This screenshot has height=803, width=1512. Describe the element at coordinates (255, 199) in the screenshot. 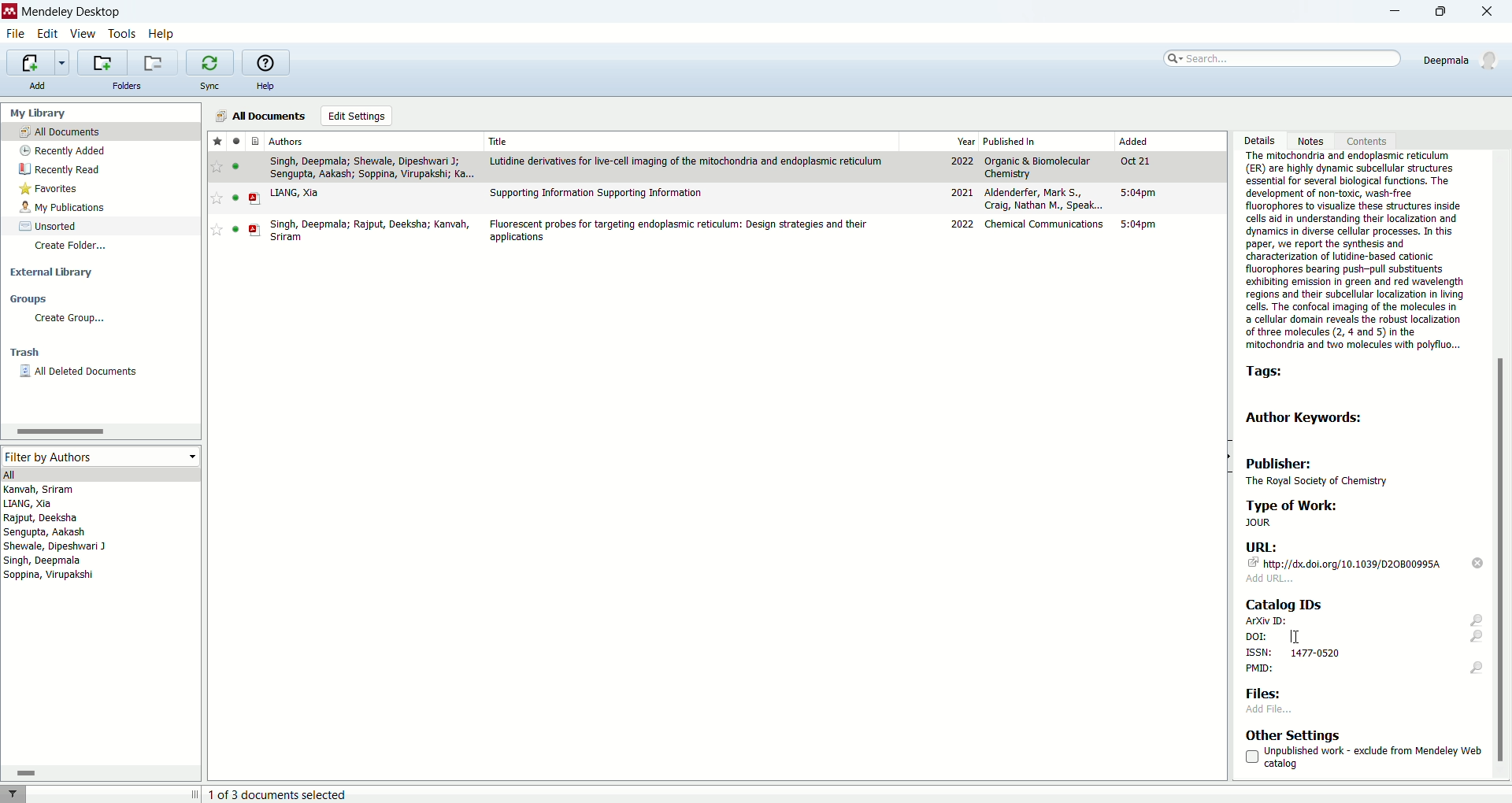

I see `PDF` at that location.